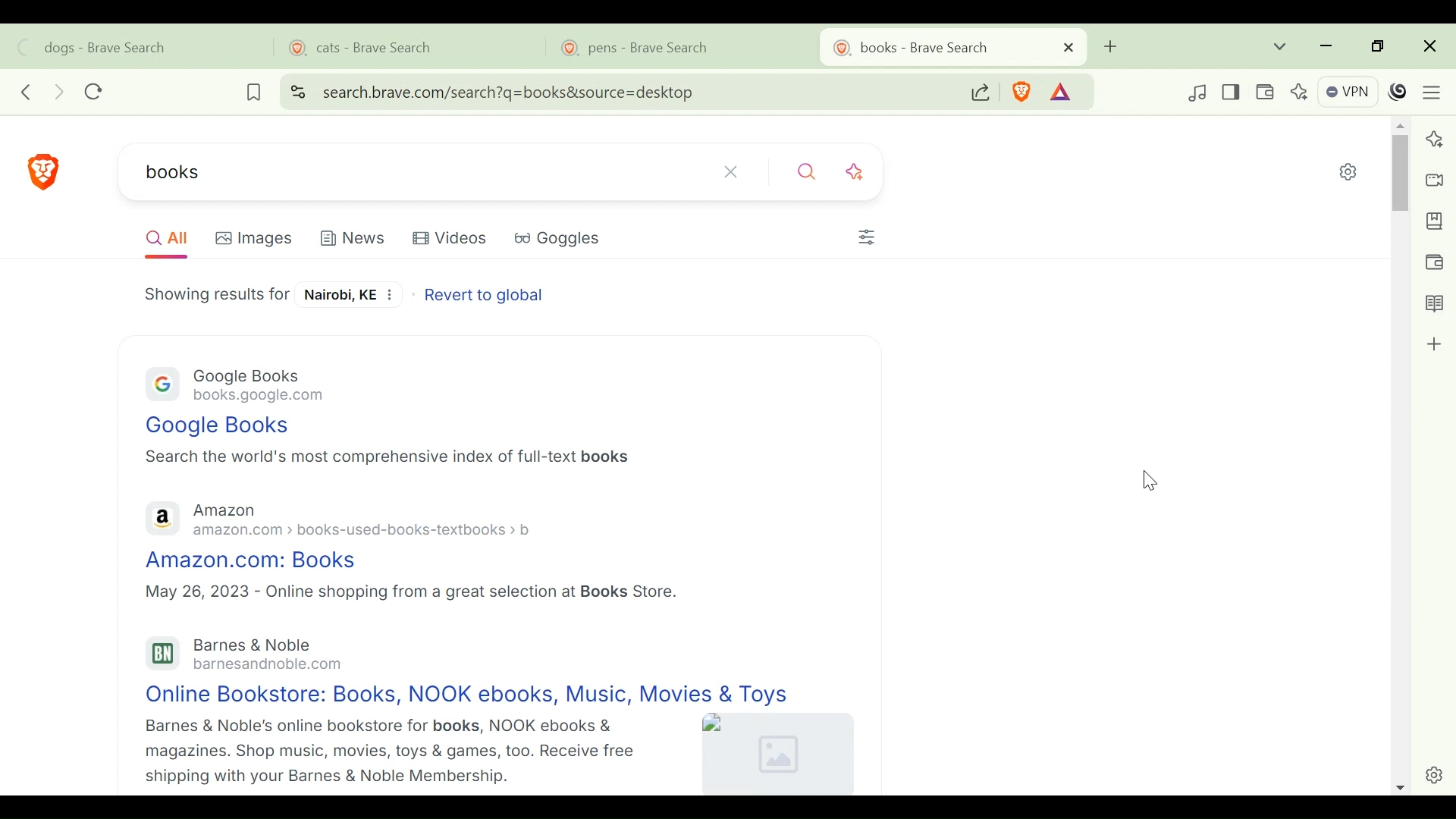 The height and width of the screenshot is (819, 1456). Describe the element at coordinates (1282, 45) in the screenshot. I see `Search tabs` at that location.